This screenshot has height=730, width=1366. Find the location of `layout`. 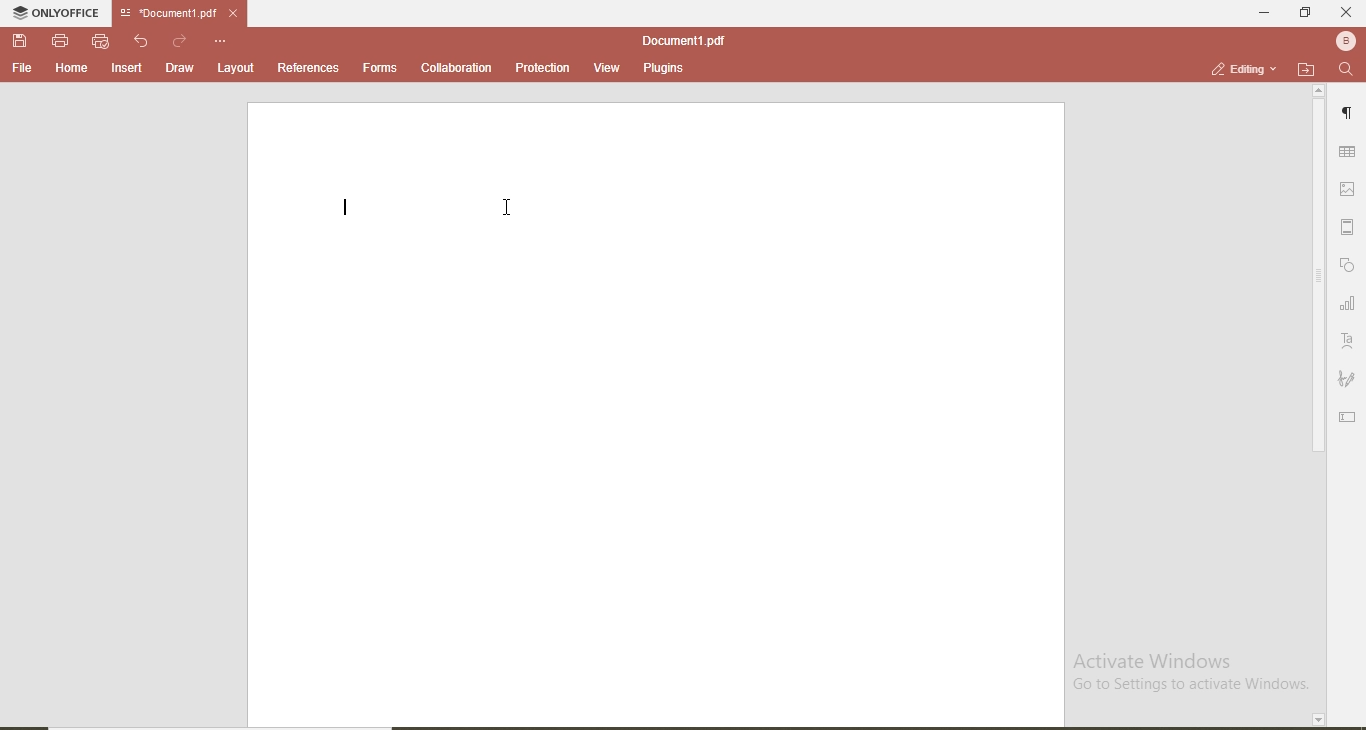

layout is located at coordinates (240, 70).